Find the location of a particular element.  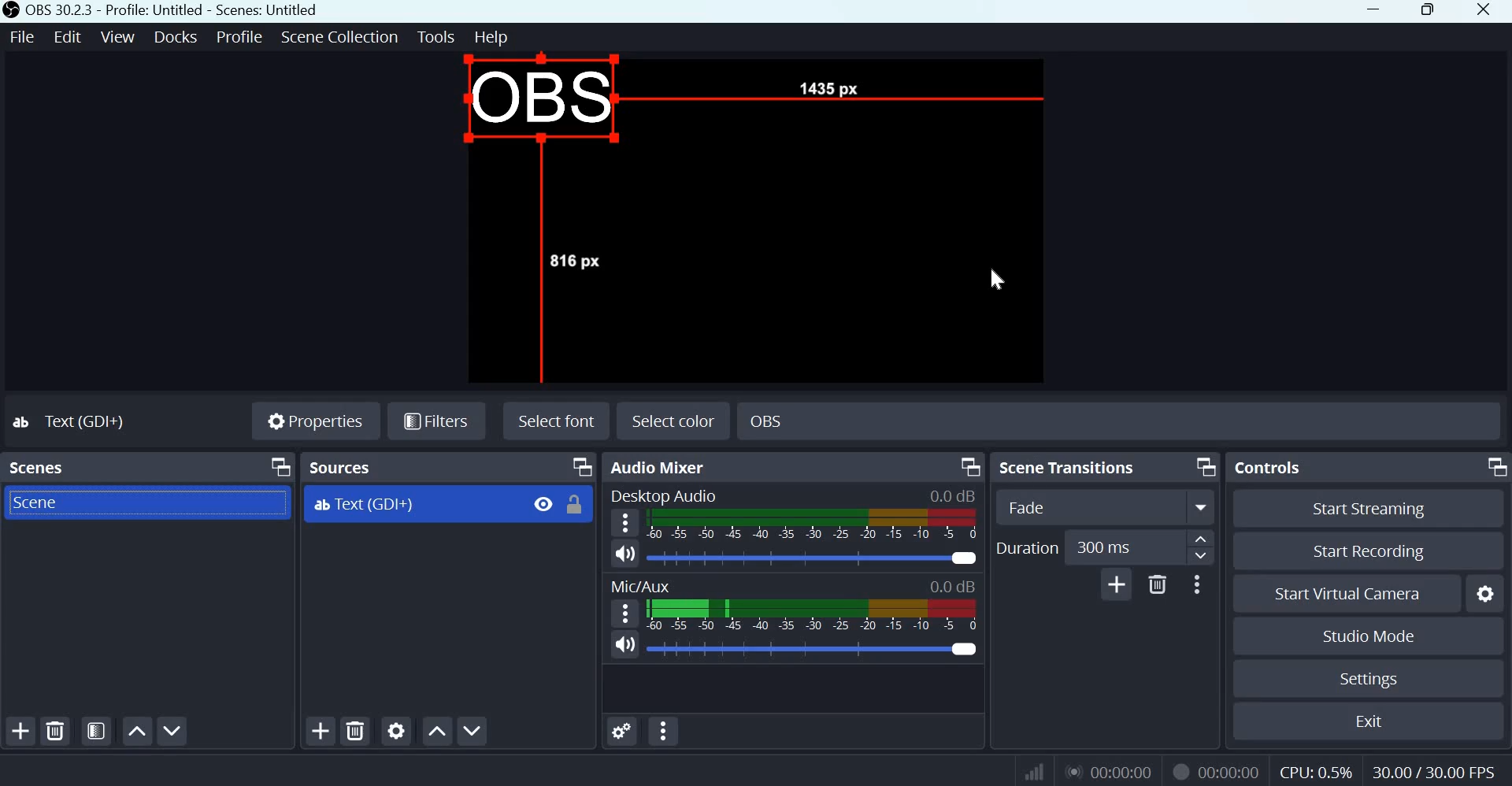

Filters is located at coordinates (435, 421).